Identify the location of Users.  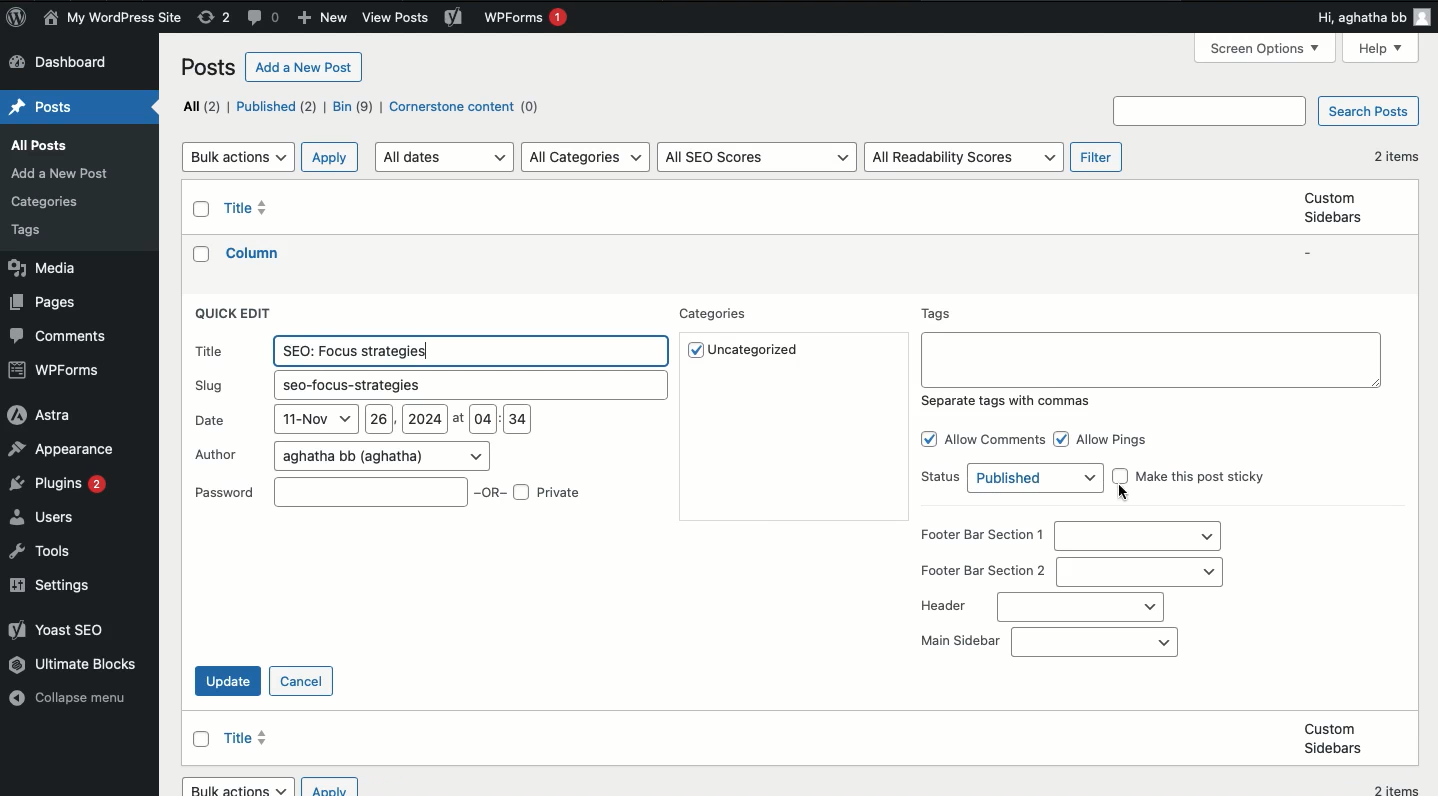
(47, 517).